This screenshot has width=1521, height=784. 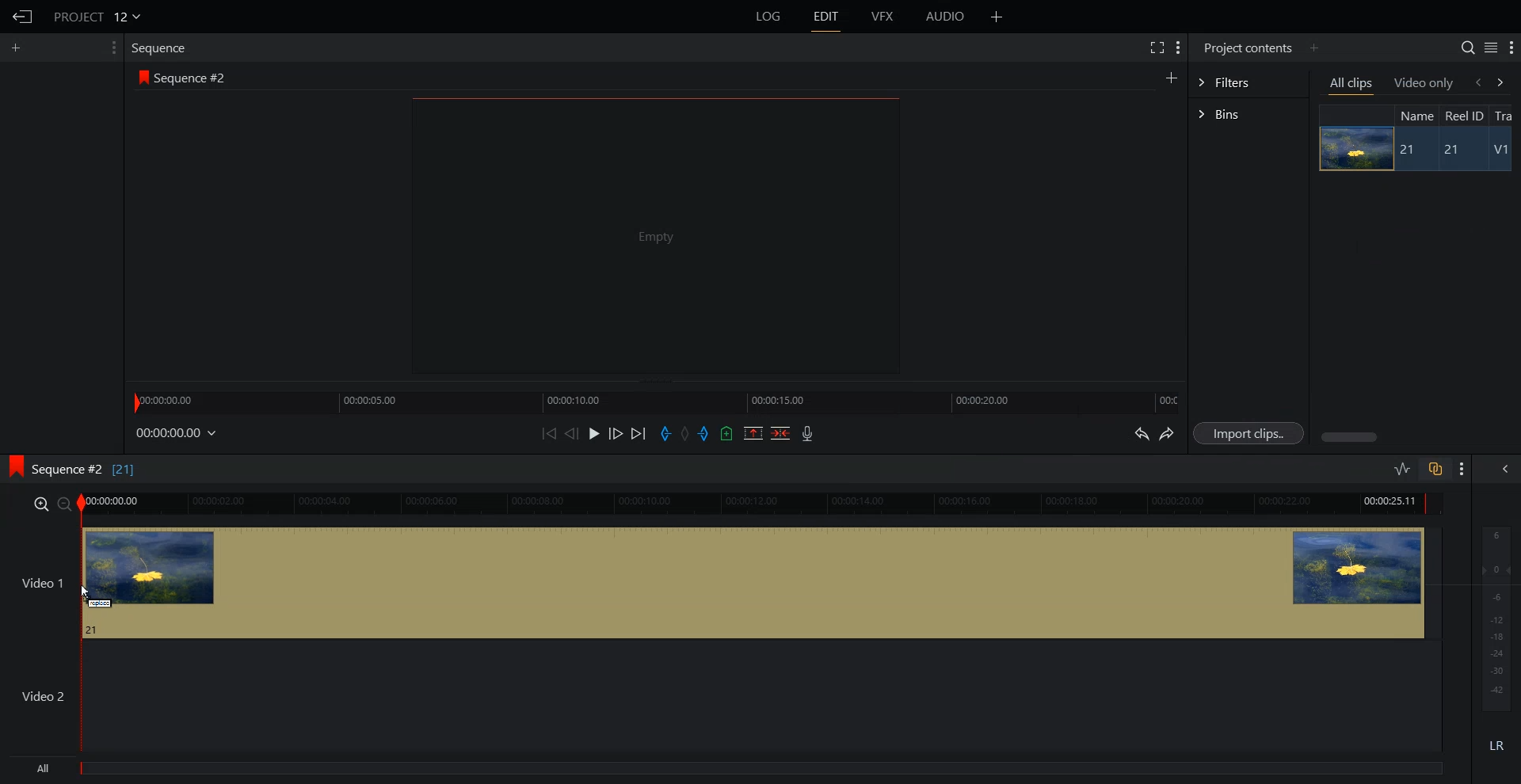 I want to click on Project 12, so click(x=96, y=15).